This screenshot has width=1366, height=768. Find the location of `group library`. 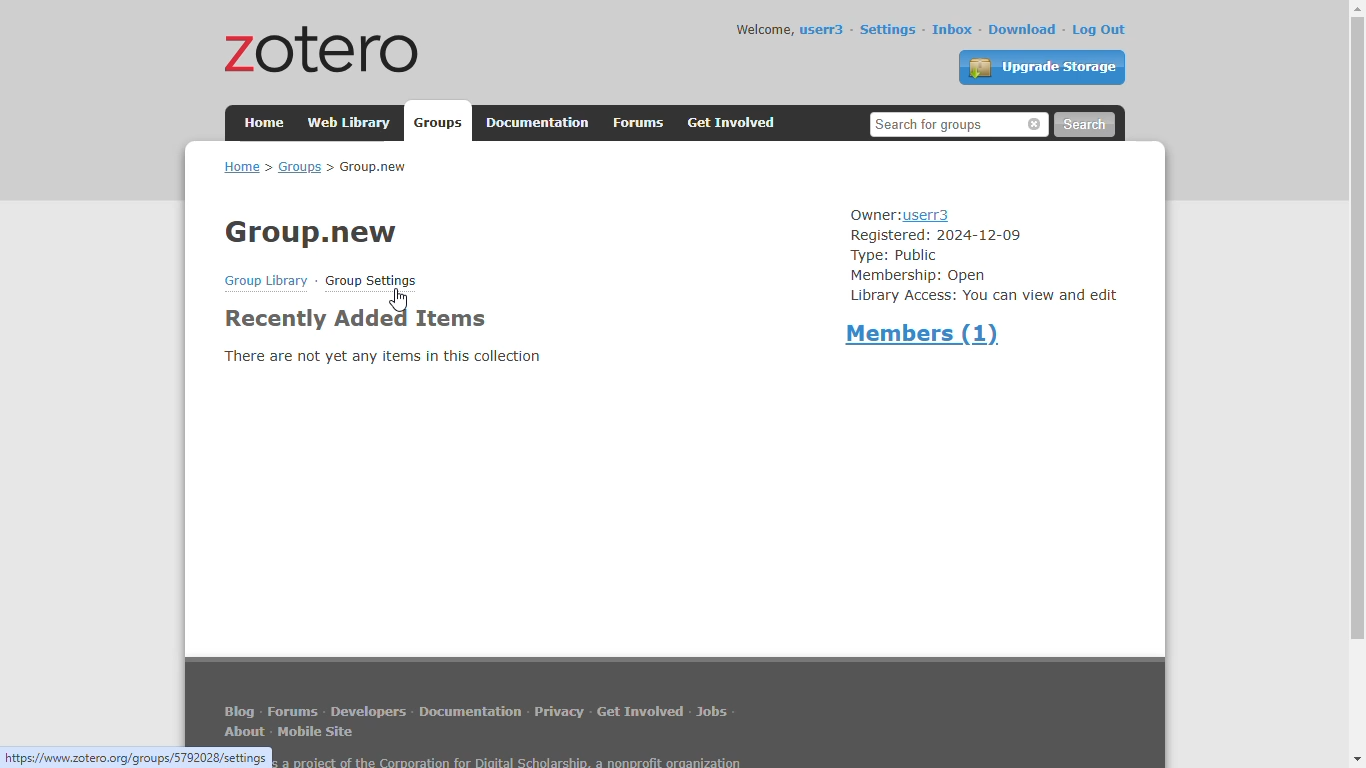

group library is located at coordinates (266, 281).